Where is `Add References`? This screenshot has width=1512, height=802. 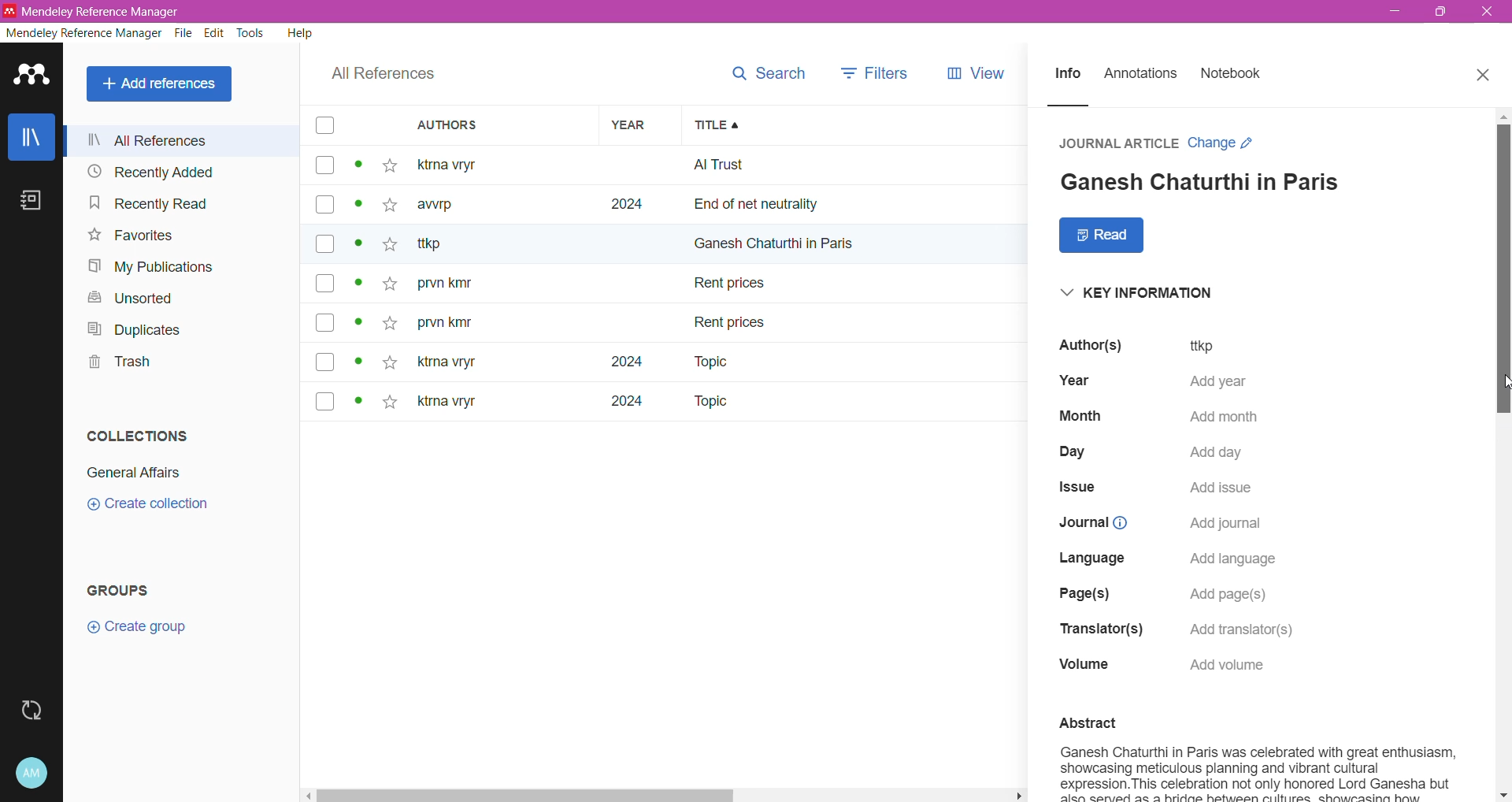
Add References is located at coordinates (161, 84).